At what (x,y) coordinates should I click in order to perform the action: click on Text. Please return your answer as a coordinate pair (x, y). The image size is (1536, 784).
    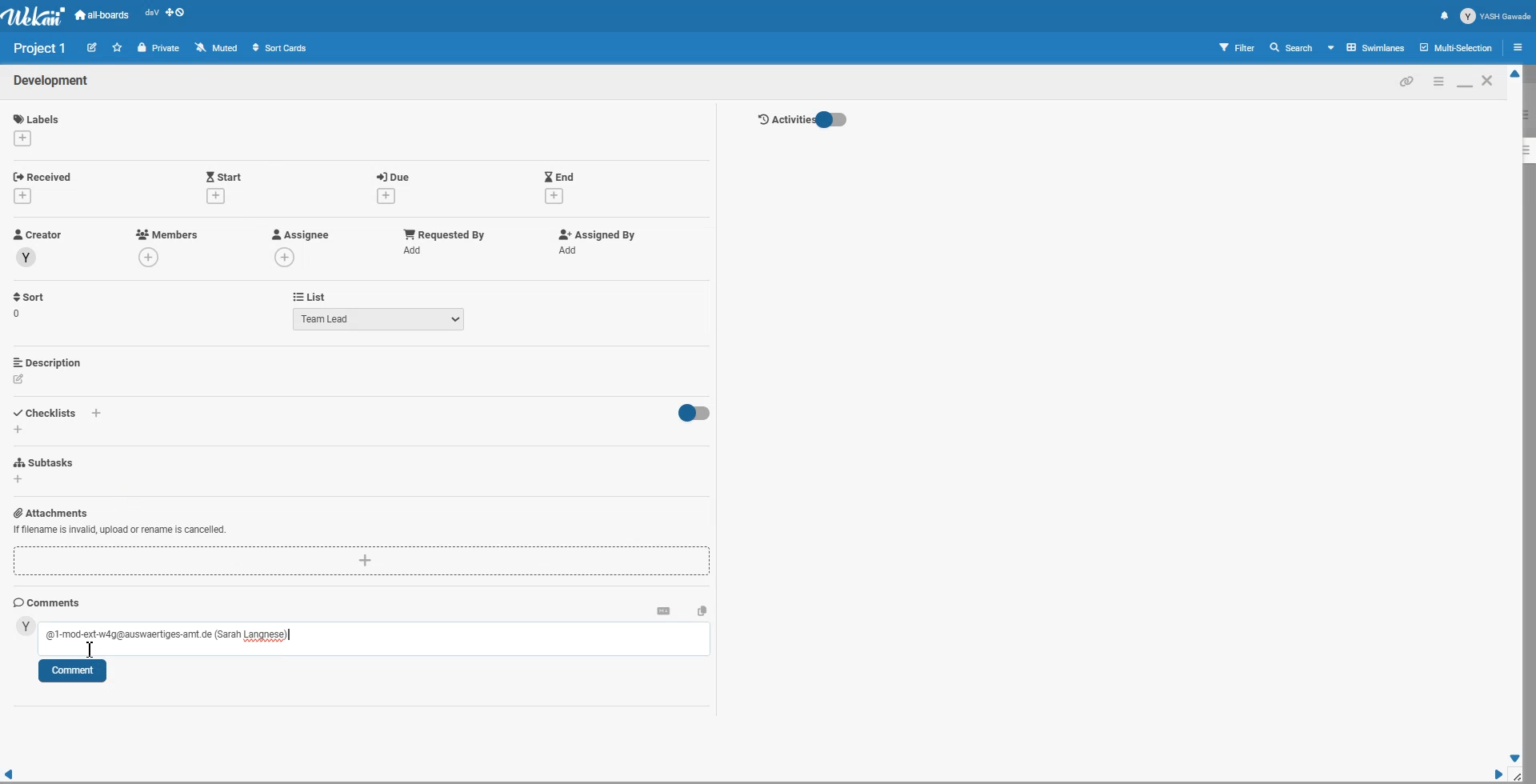
    Looking at the image, I should click on (52, 82).